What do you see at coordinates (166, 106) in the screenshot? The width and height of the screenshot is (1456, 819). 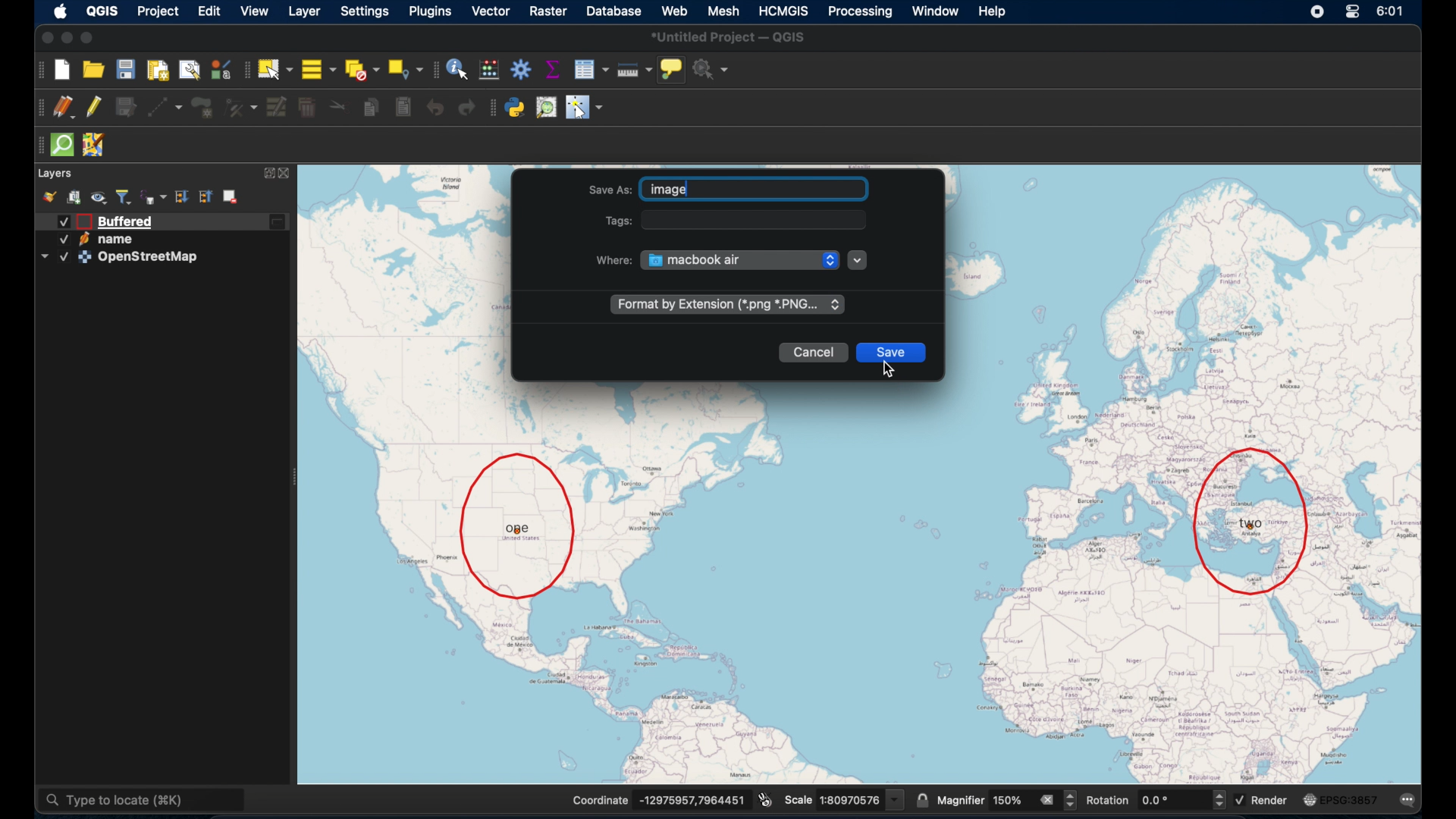 I see `digitize with segment` at bounding box center [166, 106].